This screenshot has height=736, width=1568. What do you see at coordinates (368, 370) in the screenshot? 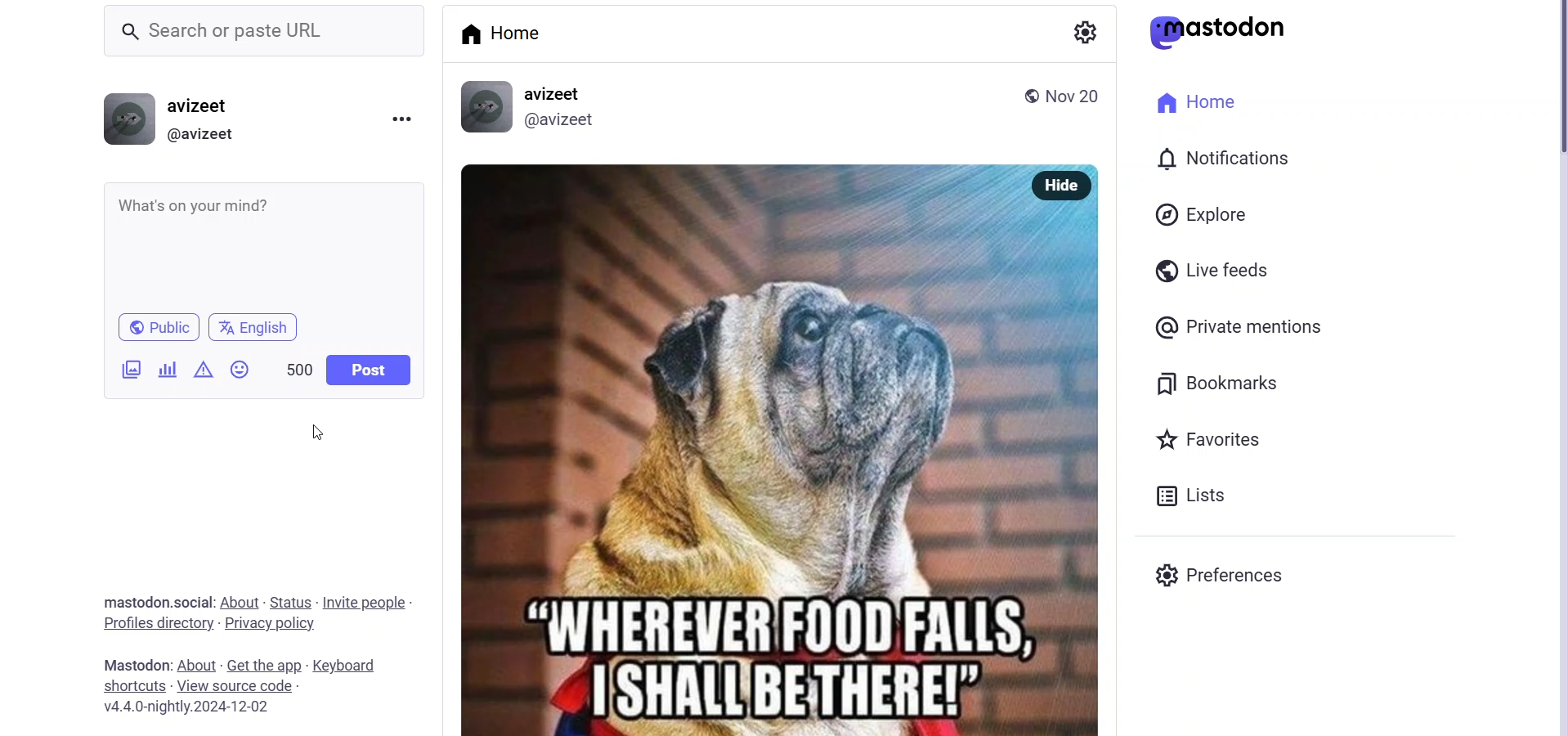
I see `post` at bounding box center [368, 370].